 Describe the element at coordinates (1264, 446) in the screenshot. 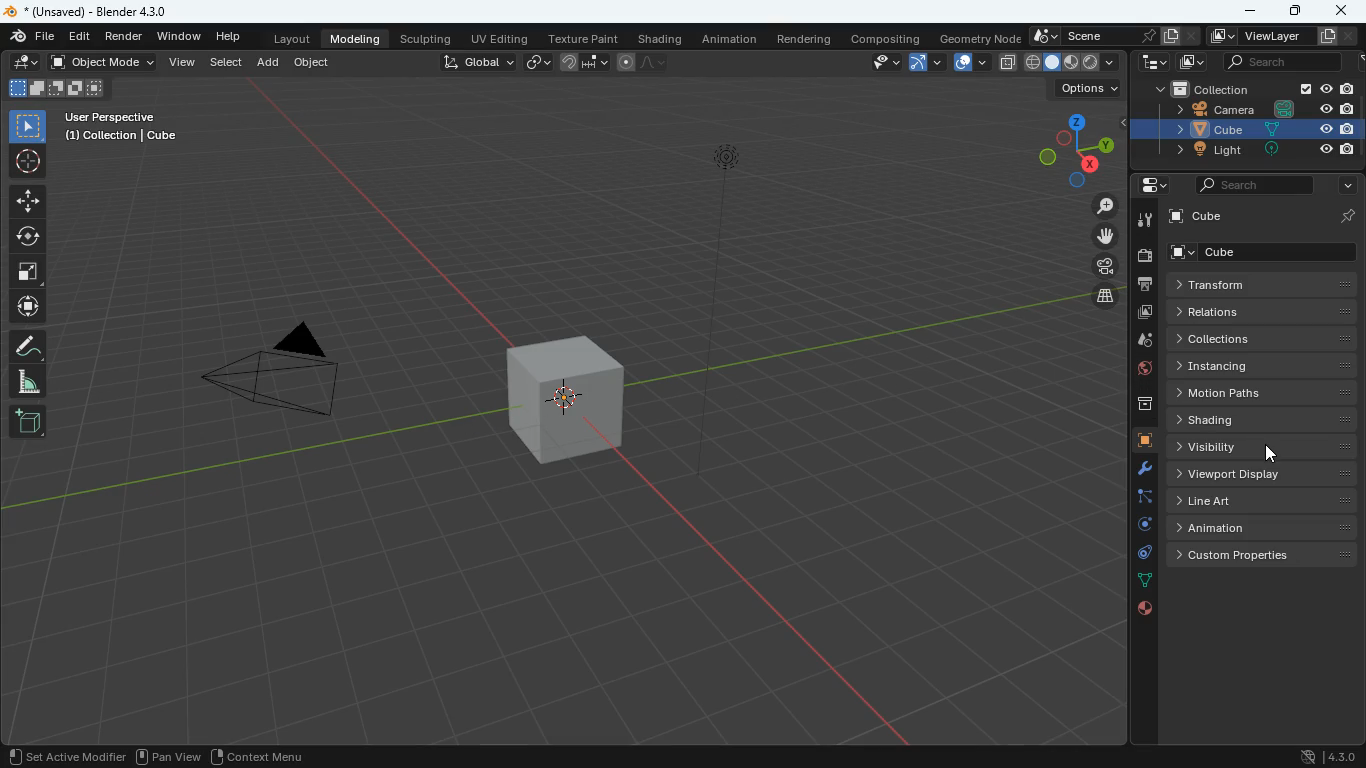

I see `visibility` at that location.